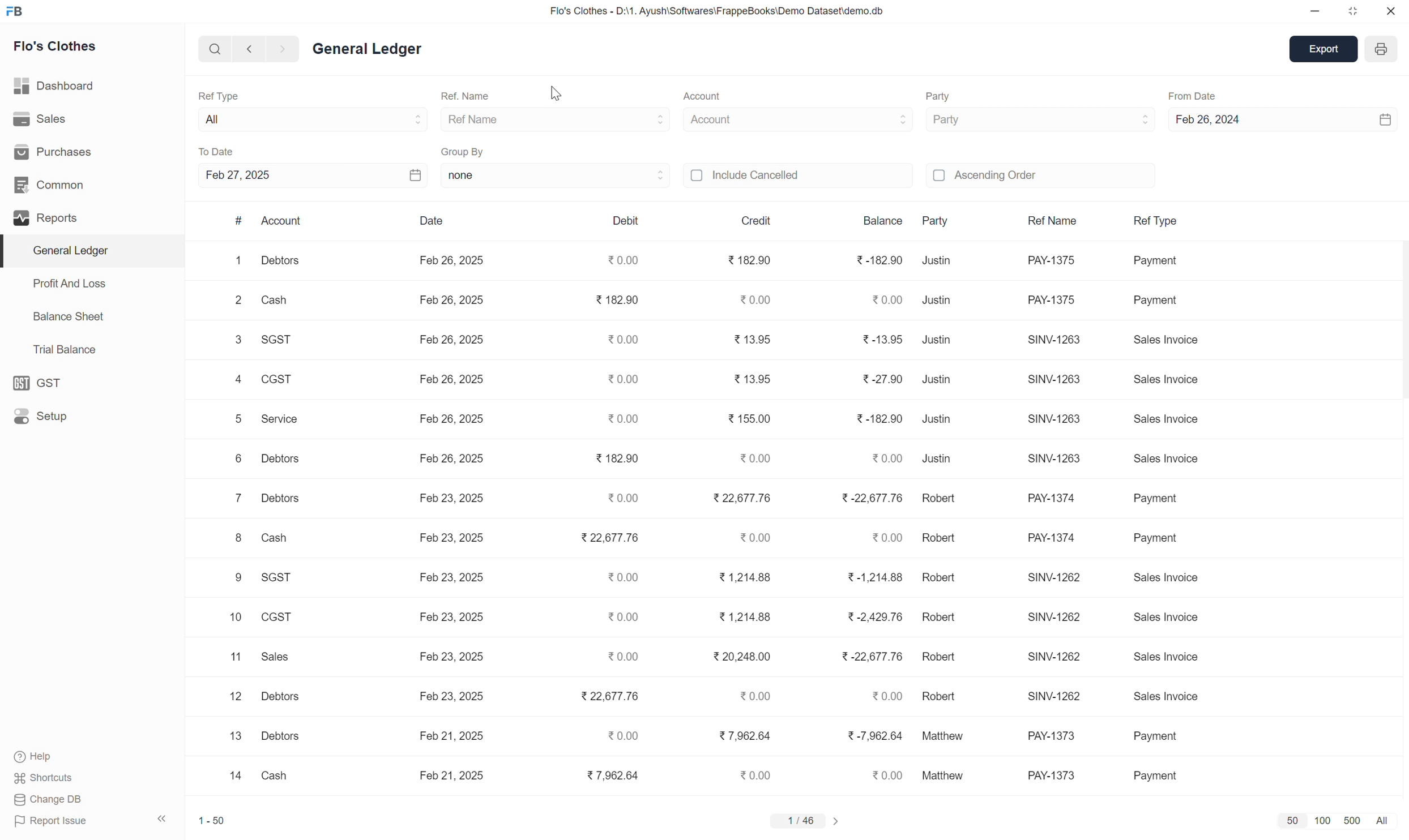 The width and height of the screenshot is (1409, 840). Describe the element at coordinates (607, 777) in the screenshot. I see `7,962.64` at that location.